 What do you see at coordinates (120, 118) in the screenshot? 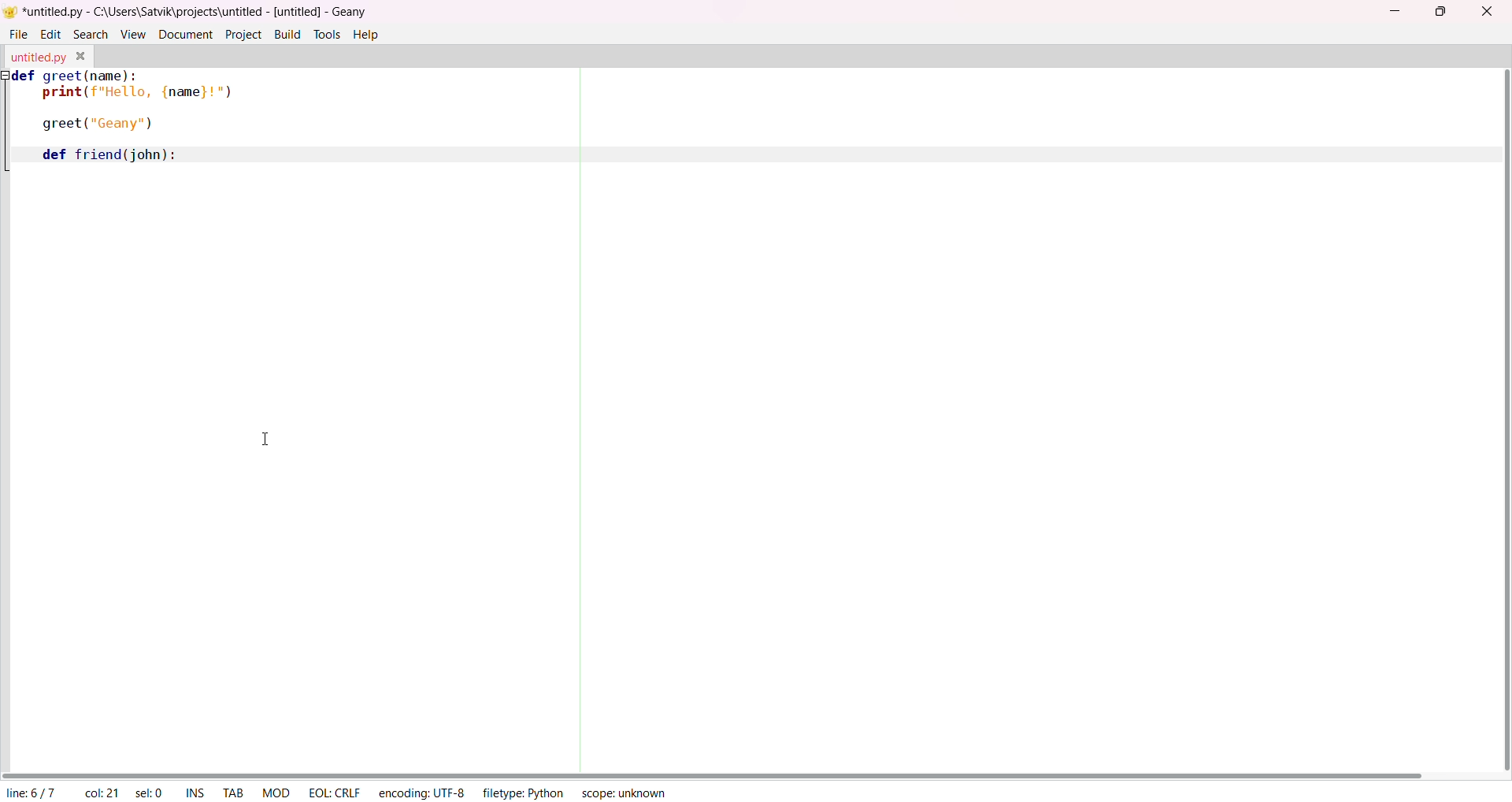
I see `def greet (name):print(f'Hello, {name}!")greet ("Geany")def friend(john):` at bounding box center [120, 118].